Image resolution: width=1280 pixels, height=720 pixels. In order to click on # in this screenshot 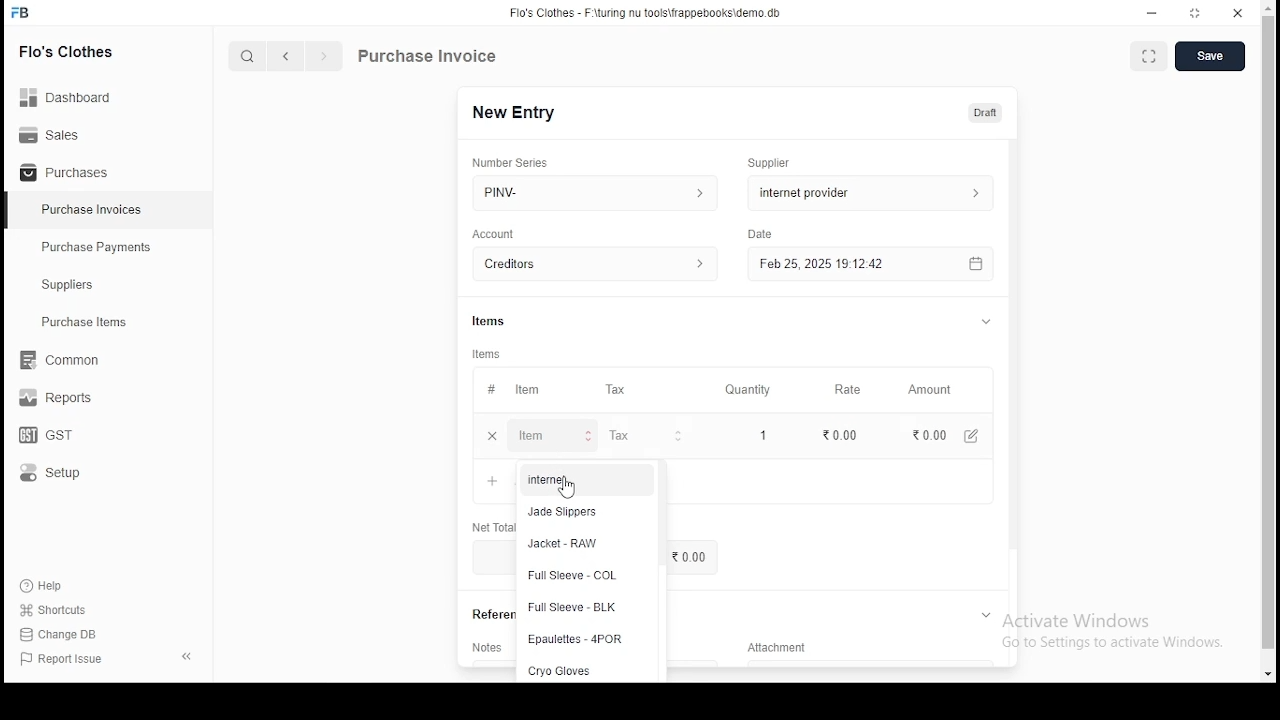, I will do `click(499, 391)`.